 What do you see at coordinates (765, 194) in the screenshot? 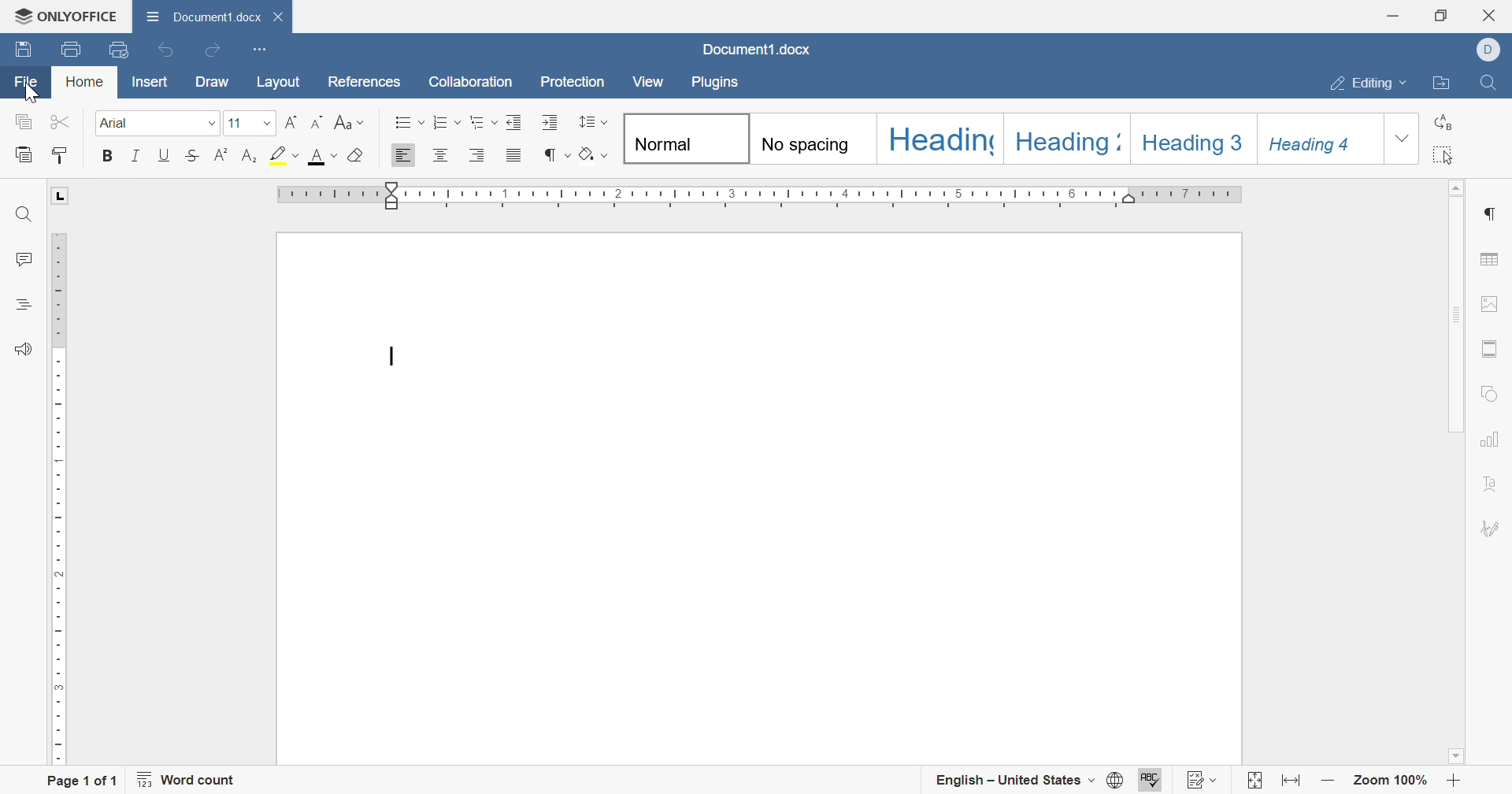
I see `ruler` at bounding box center [765, 194].